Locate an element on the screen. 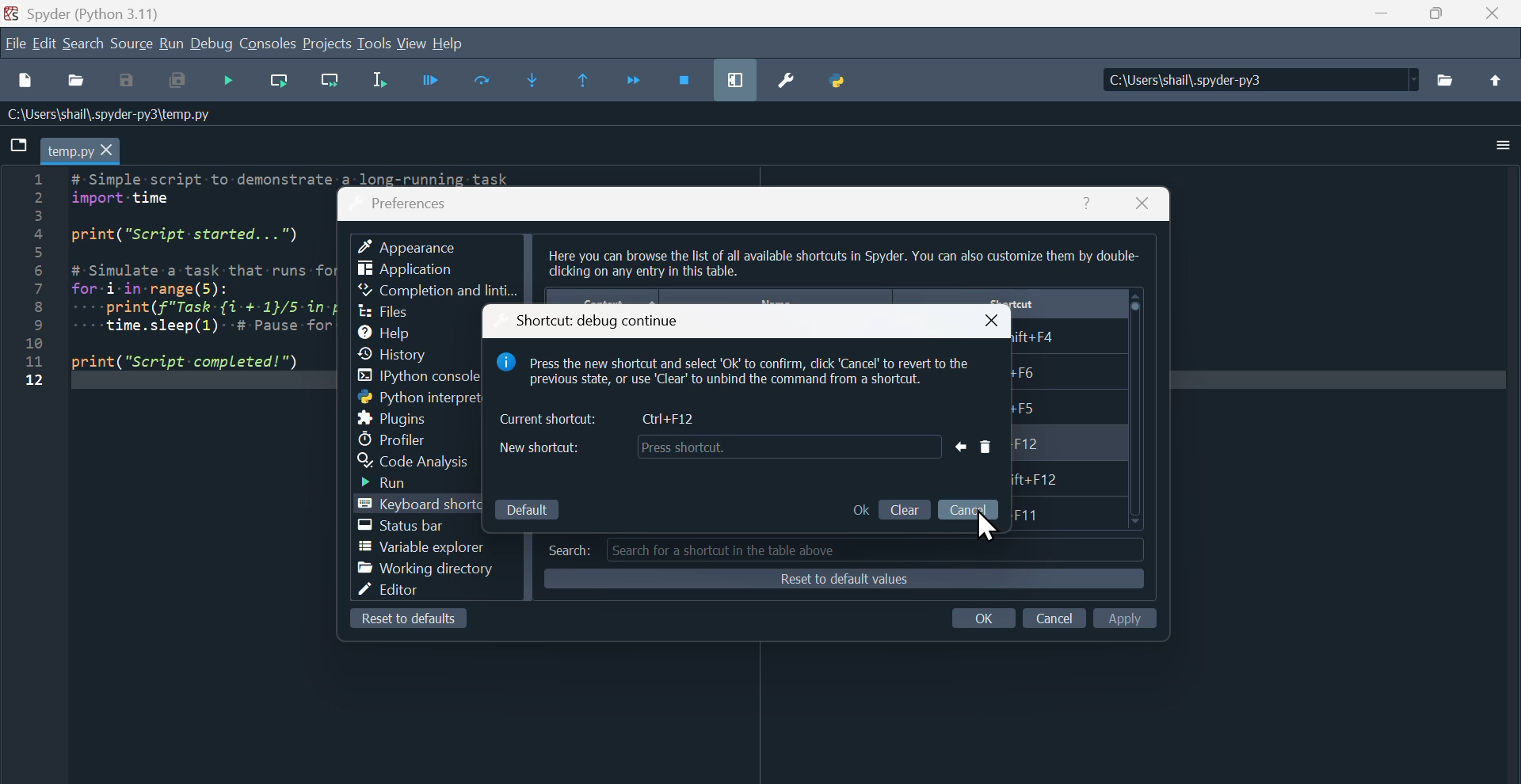 The image size is (1521, 784). Search is located at coordinates (87, 45).